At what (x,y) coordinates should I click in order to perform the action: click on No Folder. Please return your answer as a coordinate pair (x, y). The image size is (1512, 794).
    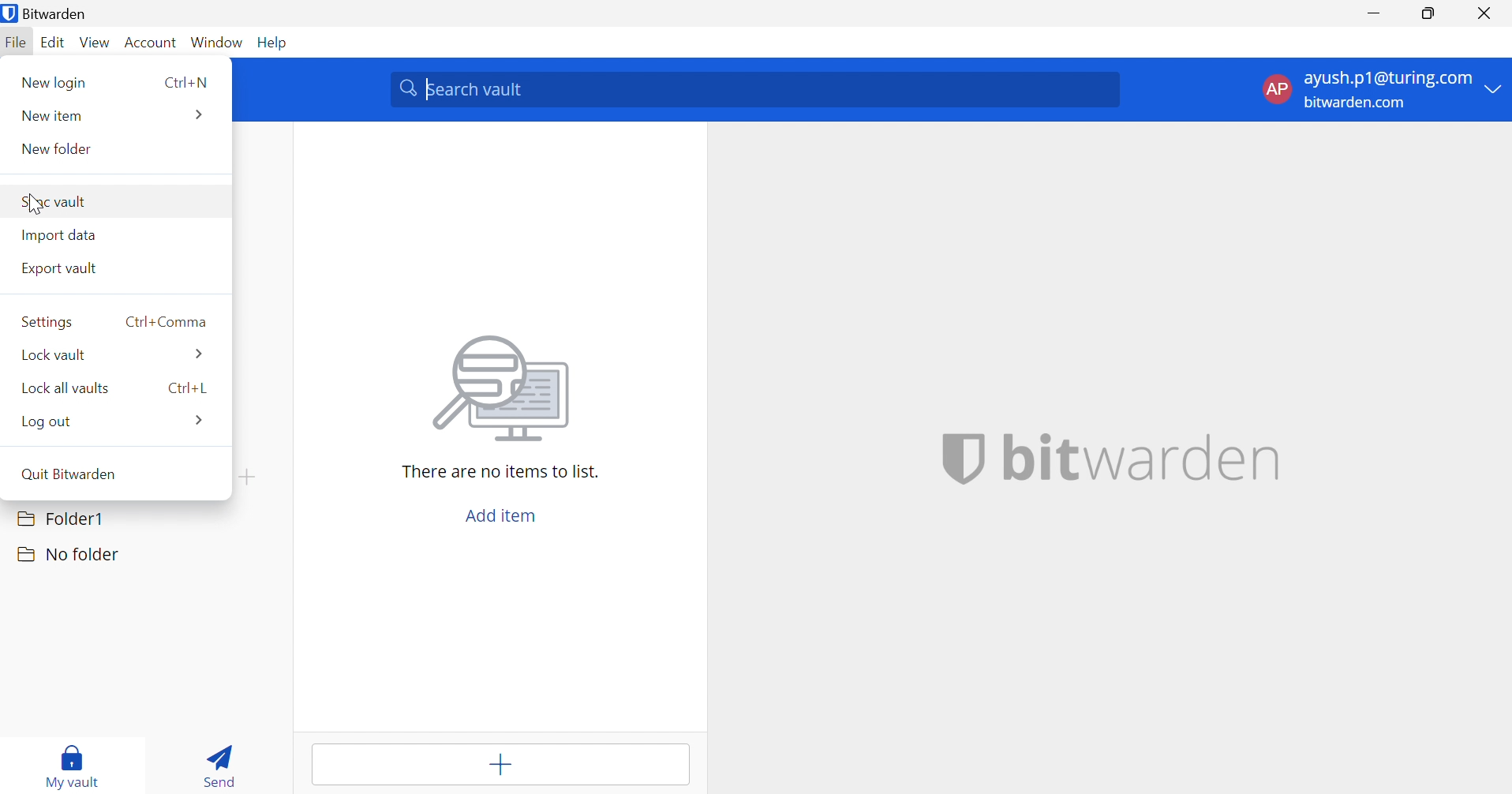
    Looking at the image, I should click on (69, 556).